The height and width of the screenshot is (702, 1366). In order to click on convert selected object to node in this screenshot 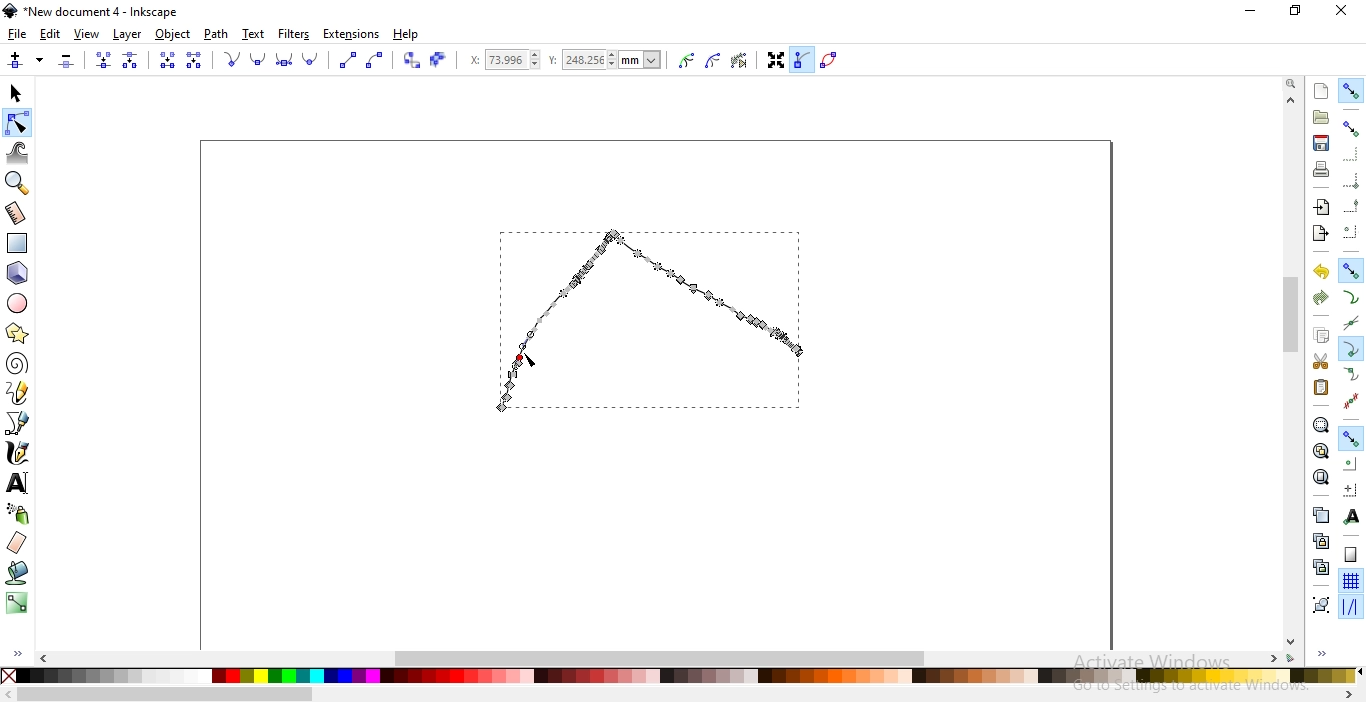, I will do `click(410, 61)`.